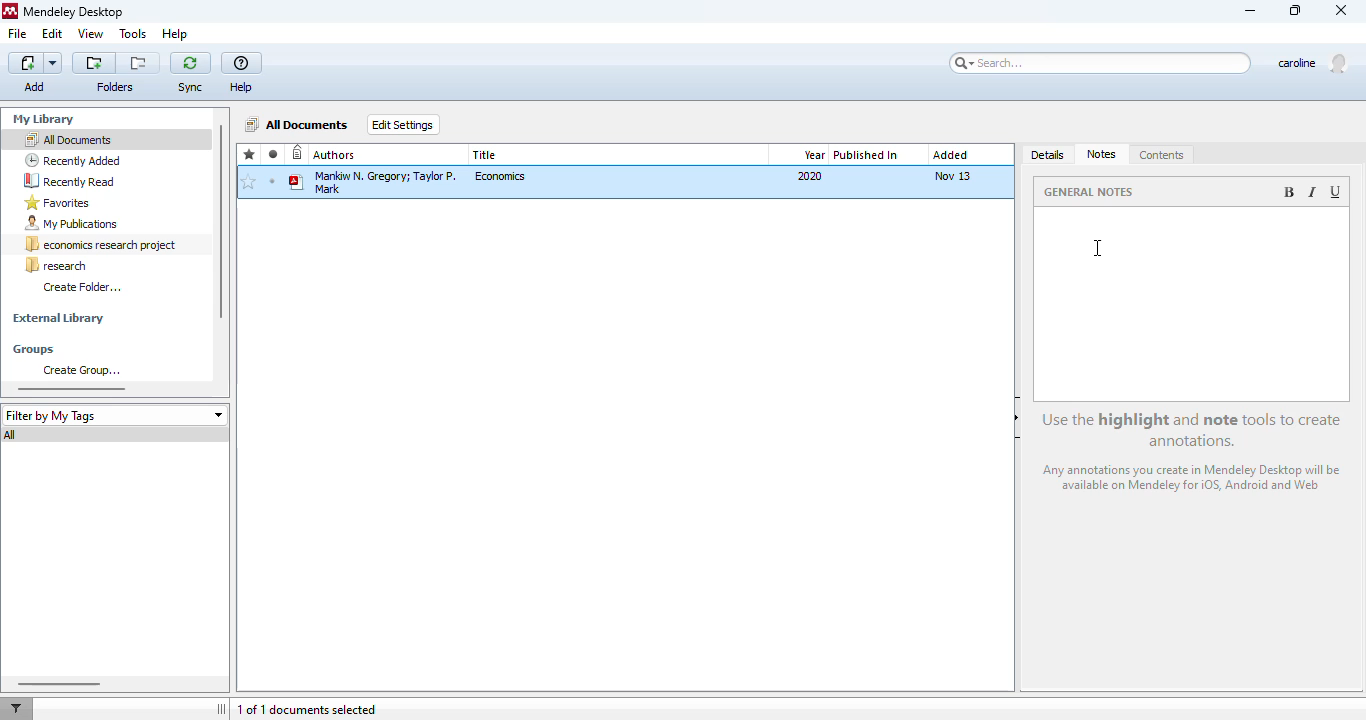 The width and height of the screenshot is (1366, 720). What do you see at coordinates (10, 11) in the screenshot?
I see `logo` at bounding box center [10, 11].